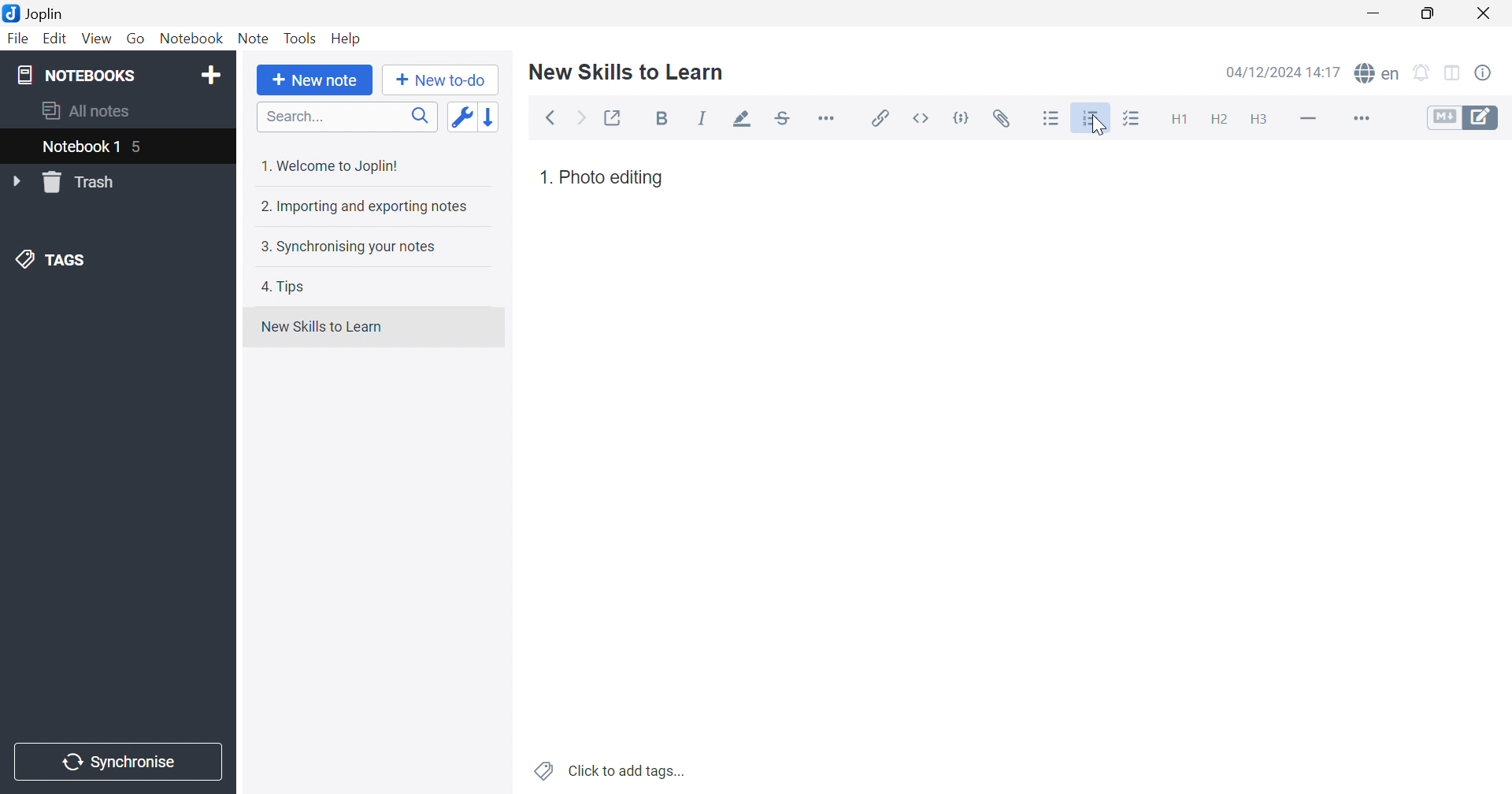  I want to click on Checkbox list, so click(1130, 120).